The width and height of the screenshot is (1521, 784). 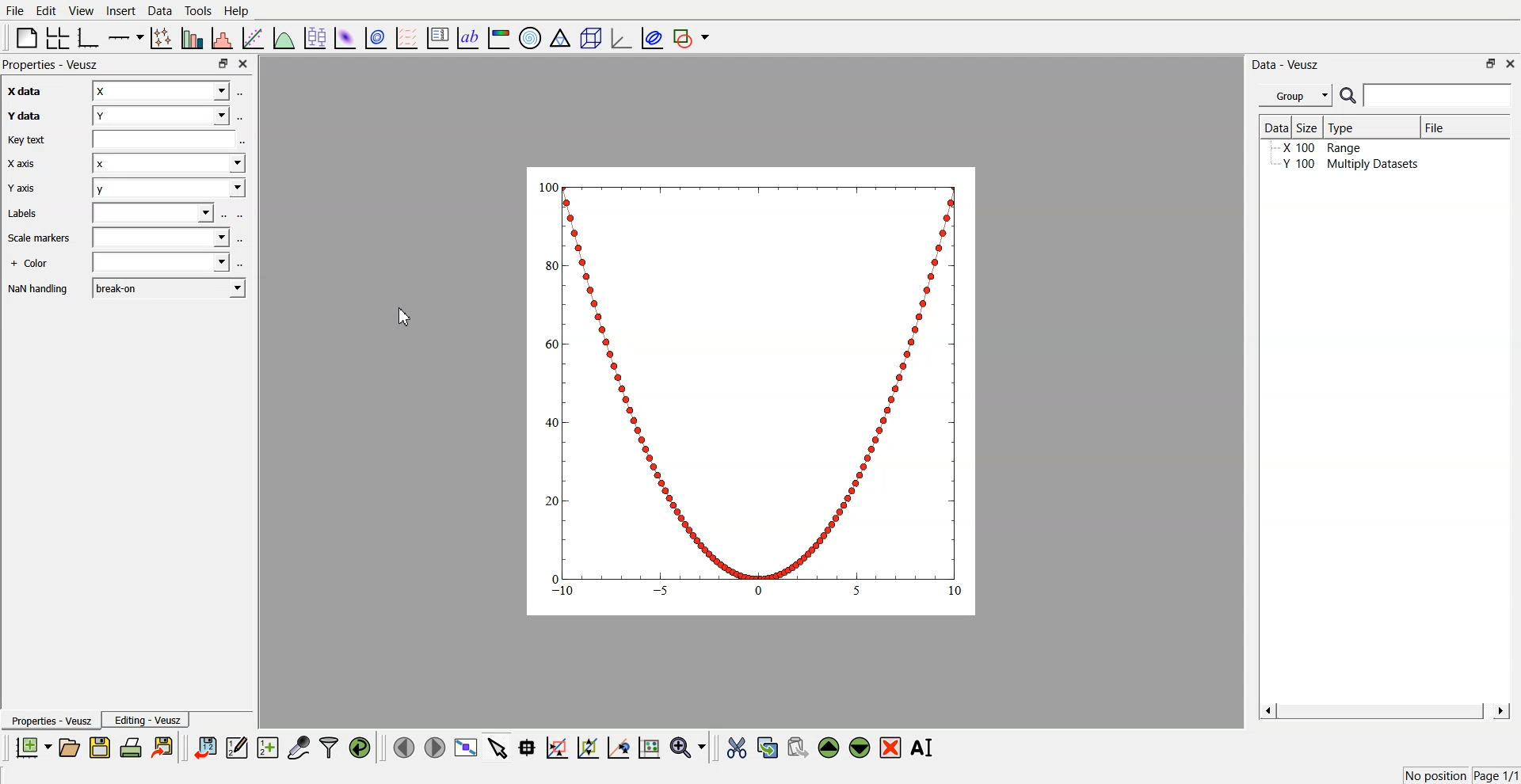 I want to click on plot a function on a graph, so click(x=284, y=36).